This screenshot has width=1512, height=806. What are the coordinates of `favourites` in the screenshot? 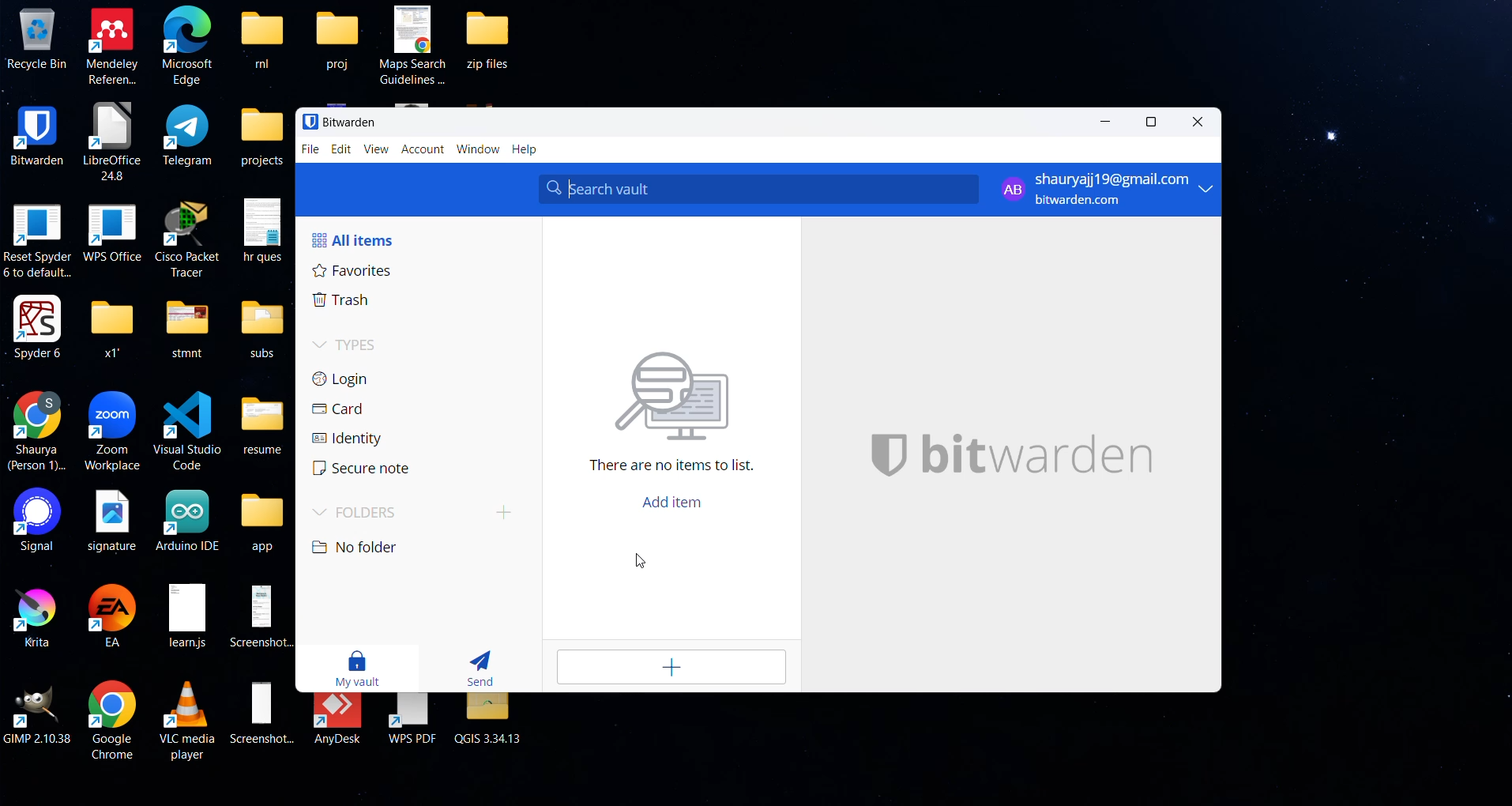 It's located at (382, 273).